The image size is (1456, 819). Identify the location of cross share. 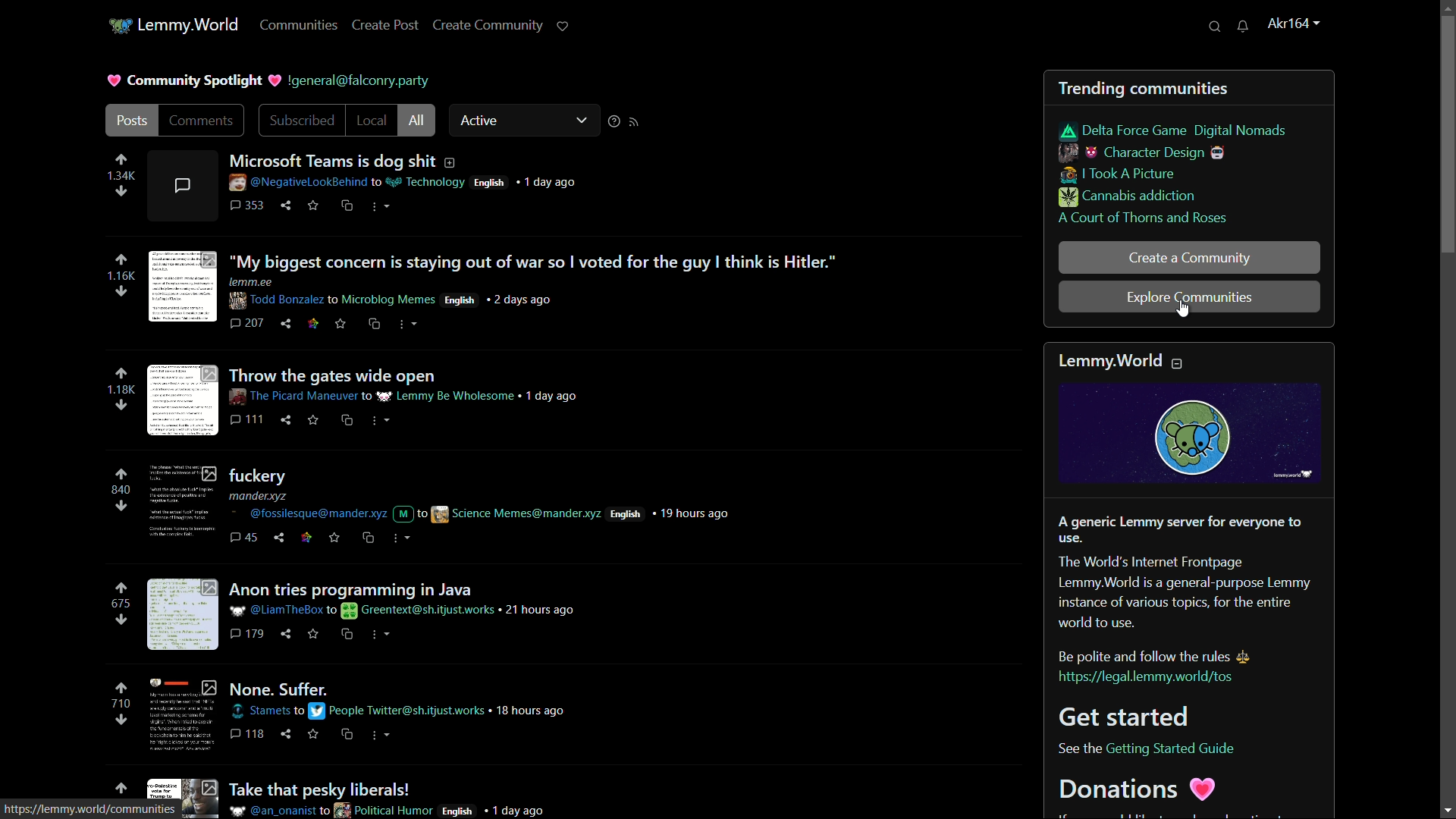
(346, 205).